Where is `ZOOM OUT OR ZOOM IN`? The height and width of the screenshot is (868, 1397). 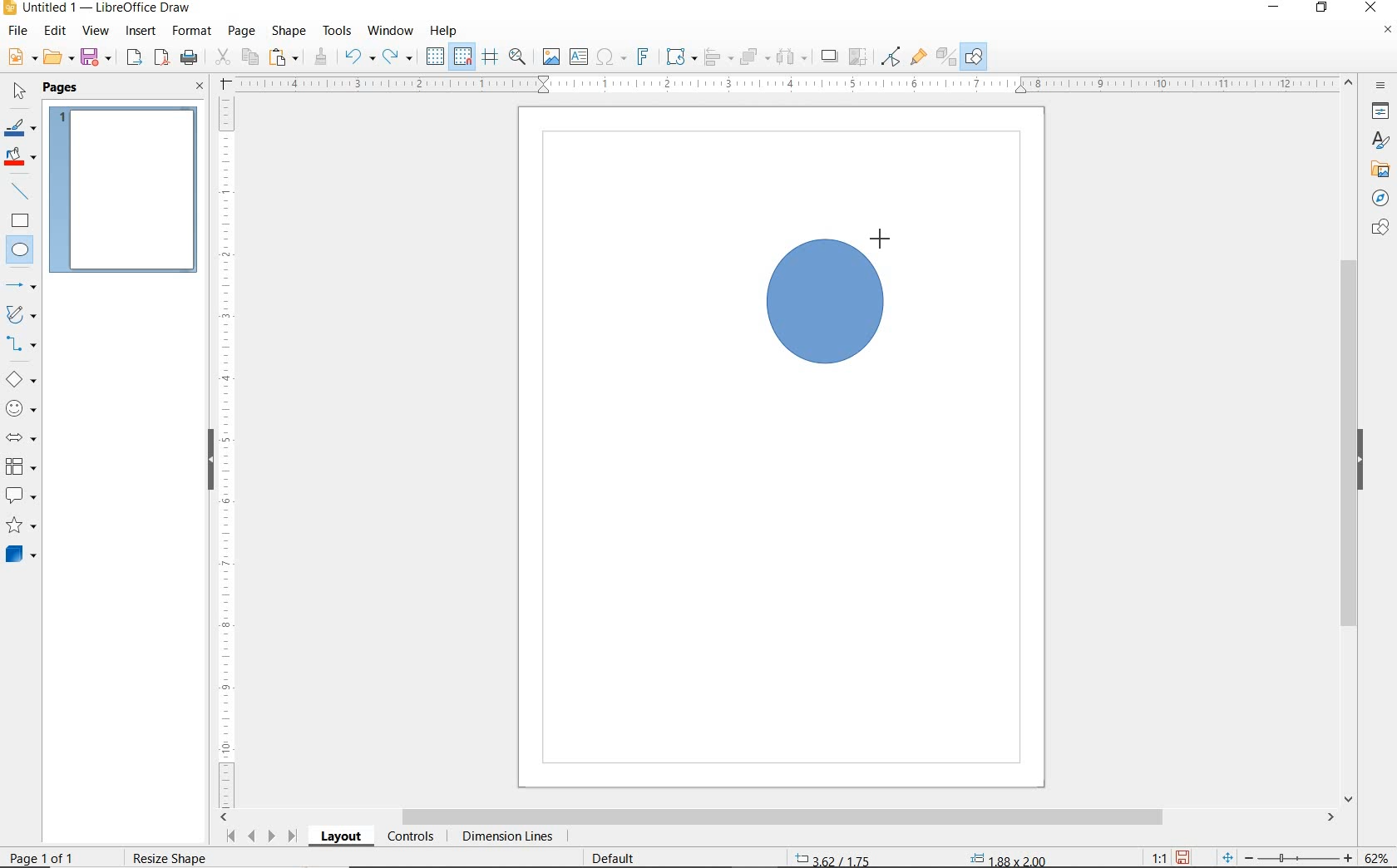 ZOOM OUT OR ZOOM IN is located at coordinates (1287, 858).